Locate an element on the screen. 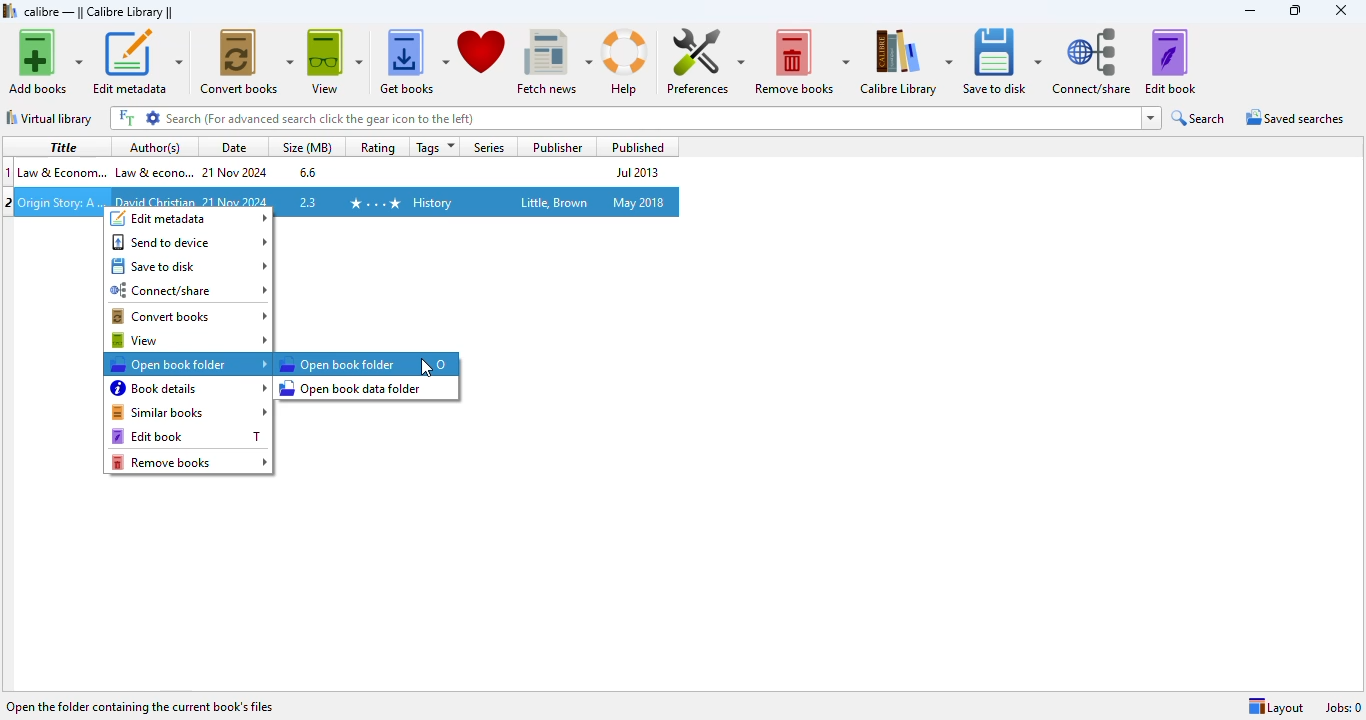  2 is located at coordinates (9, 201).